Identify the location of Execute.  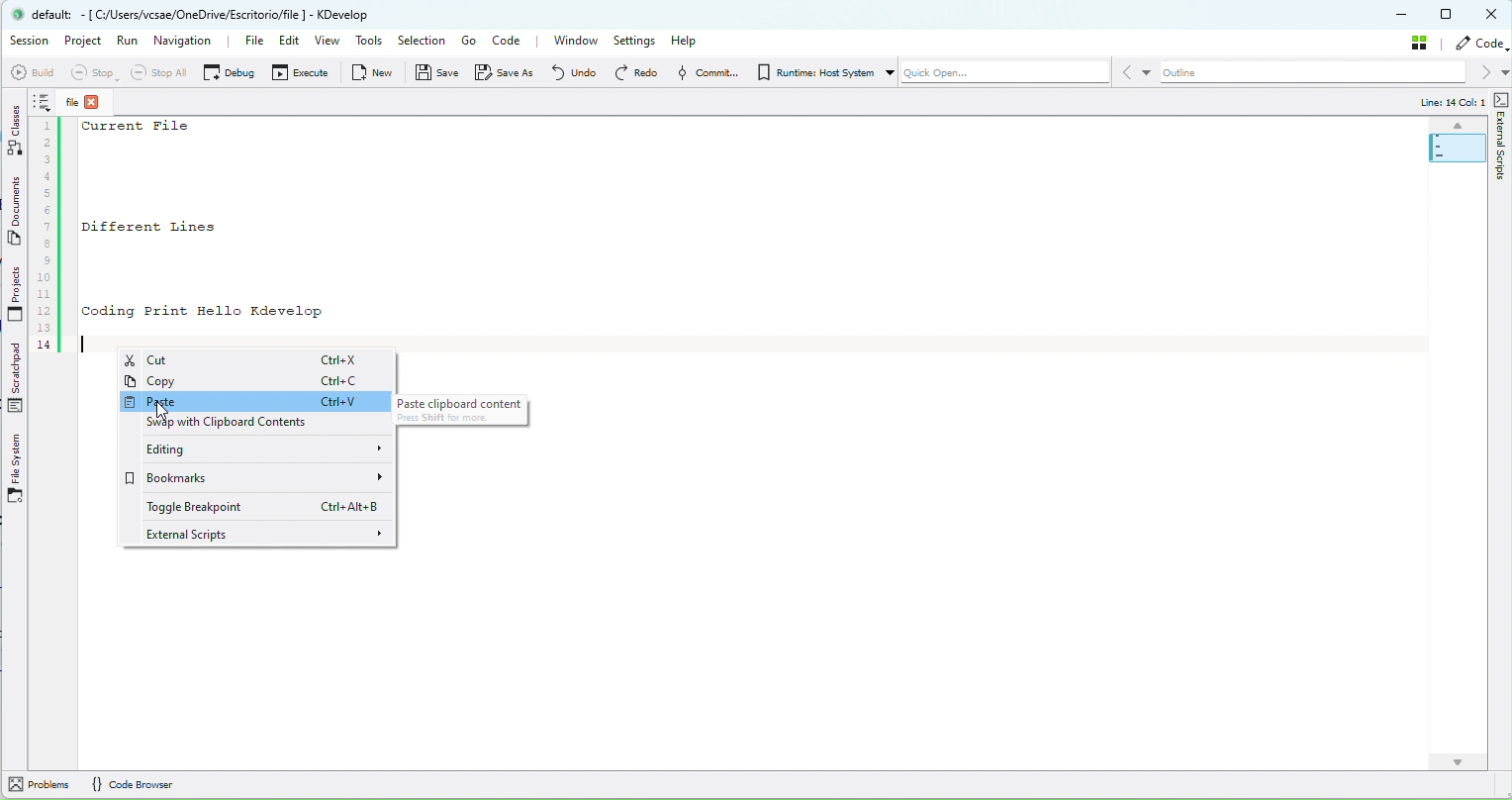
(303, 75).